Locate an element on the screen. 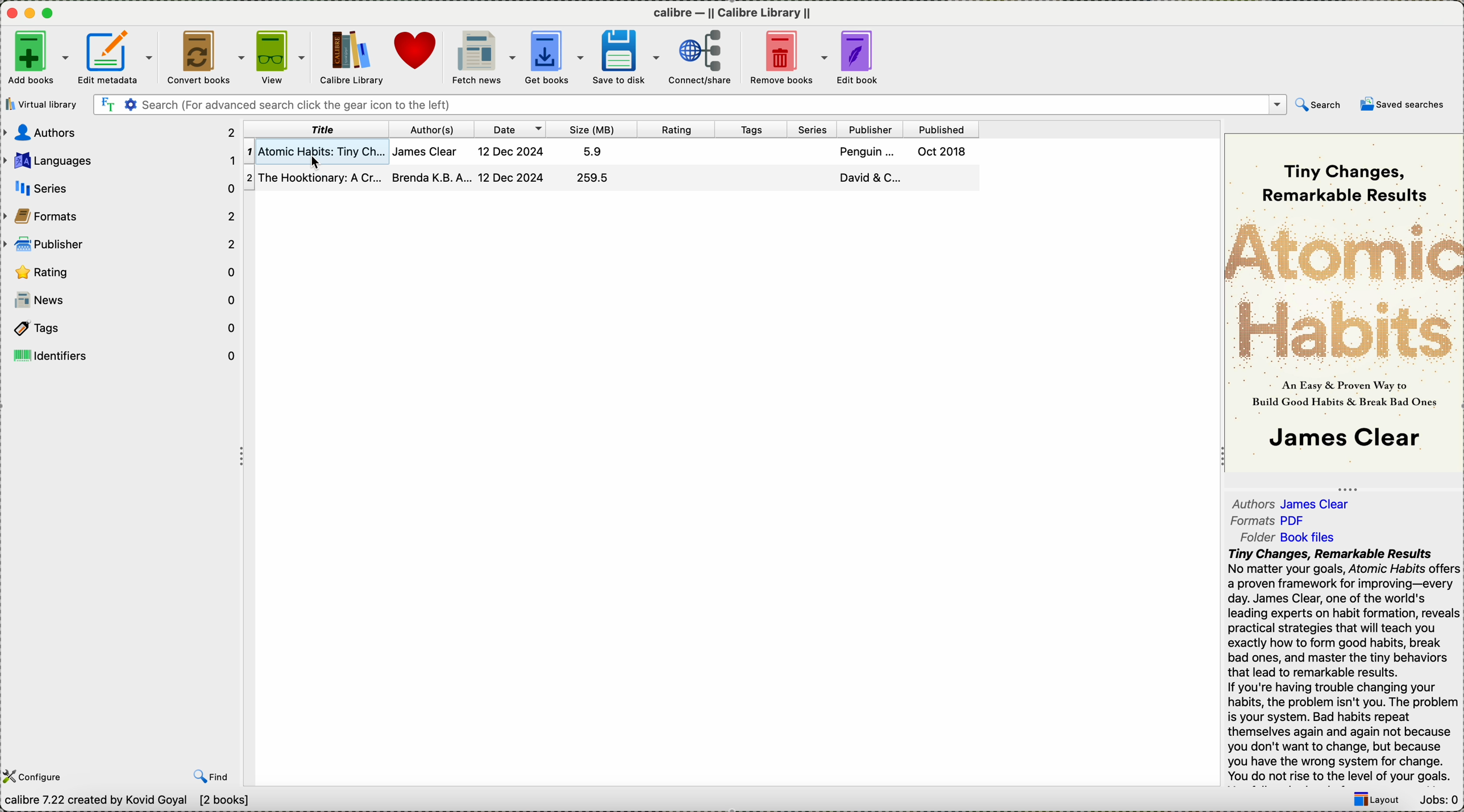  edit metadata is located at coordinates (118, 56).